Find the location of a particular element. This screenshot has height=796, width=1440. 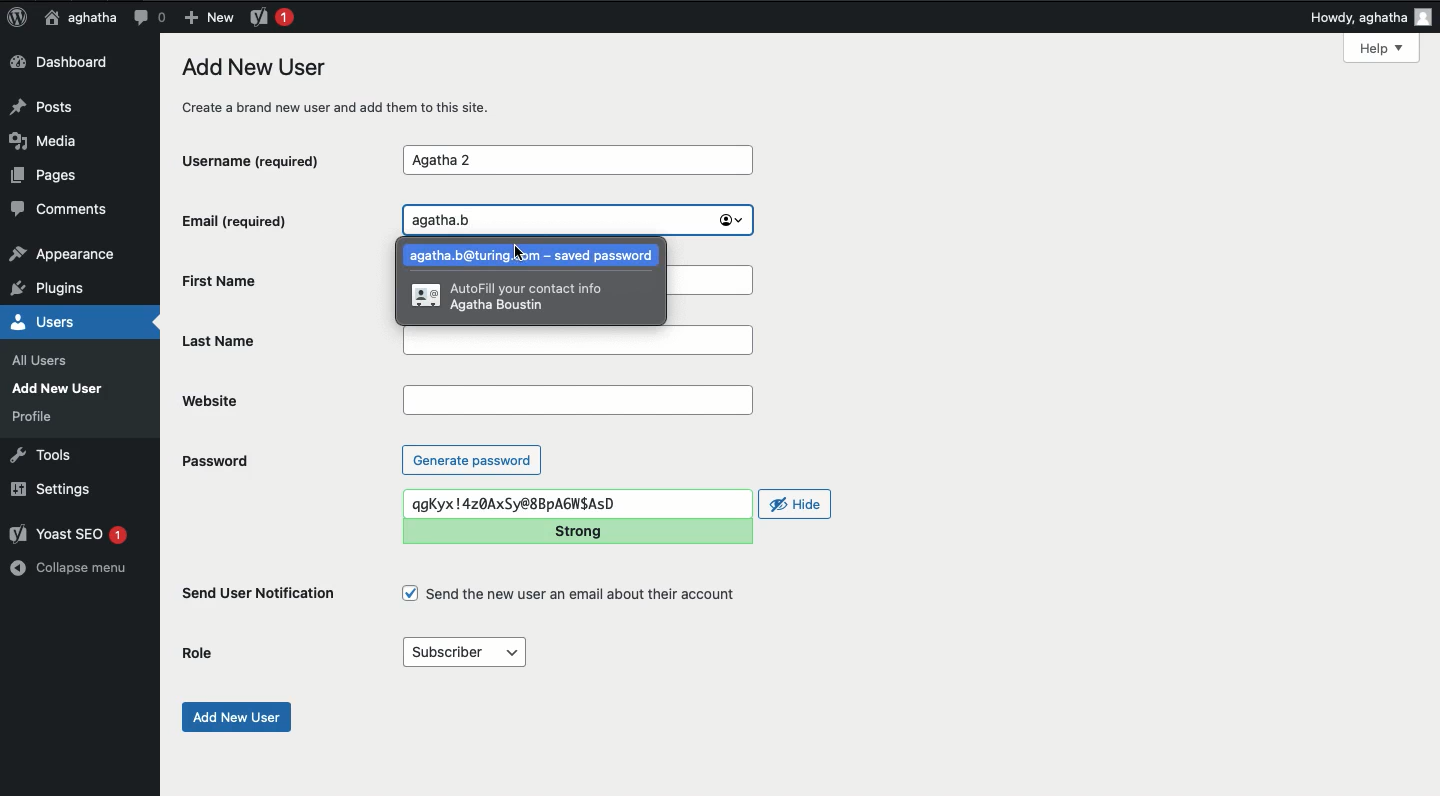

plugins is located at coordinates (58, 289).